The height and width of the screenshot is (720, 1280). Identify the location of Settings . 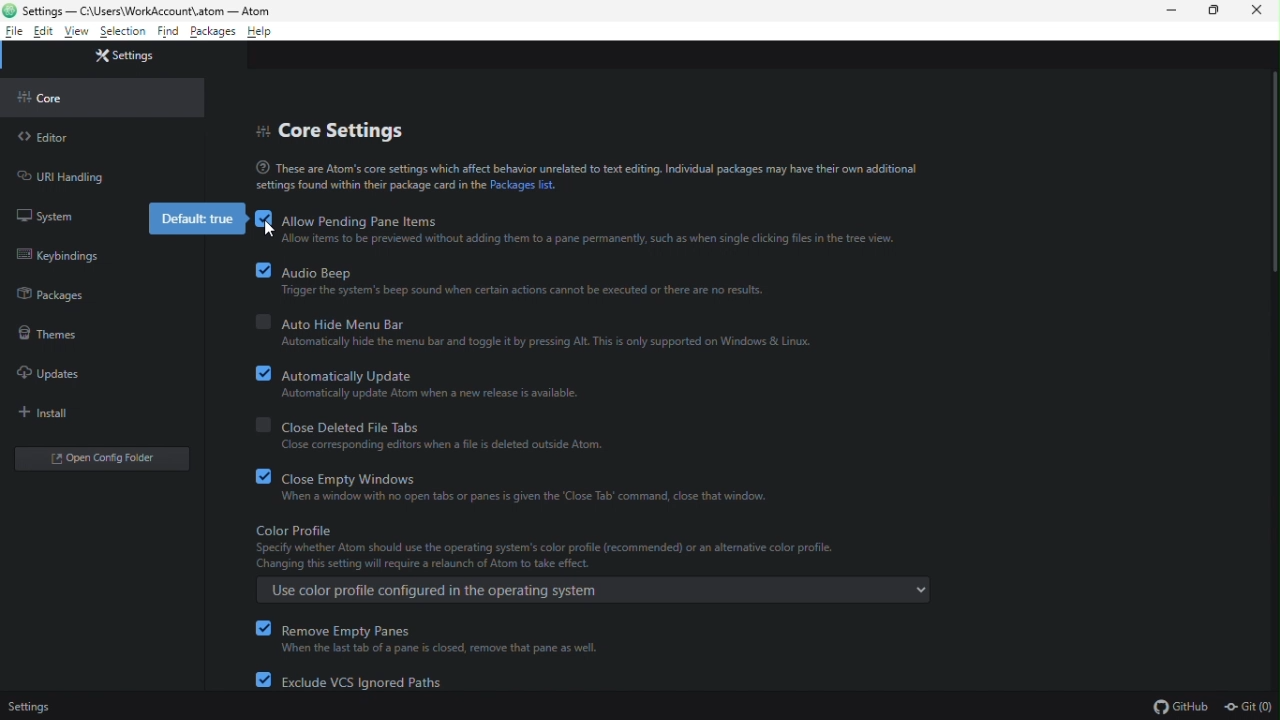
(28, 705).